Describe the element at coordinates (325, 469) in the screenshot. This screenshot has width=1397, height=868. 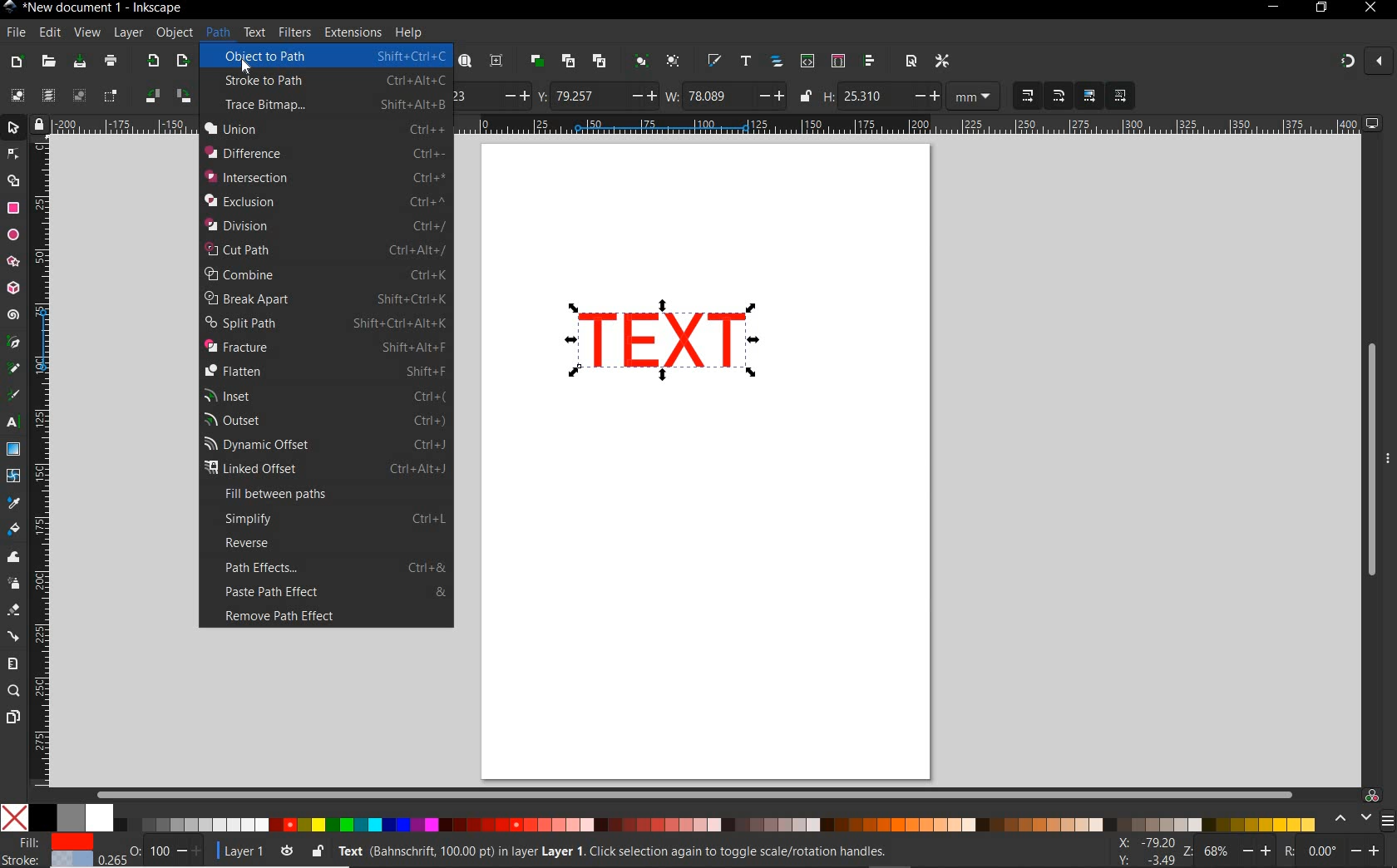
I see `LINKED OFFSET` at that location.